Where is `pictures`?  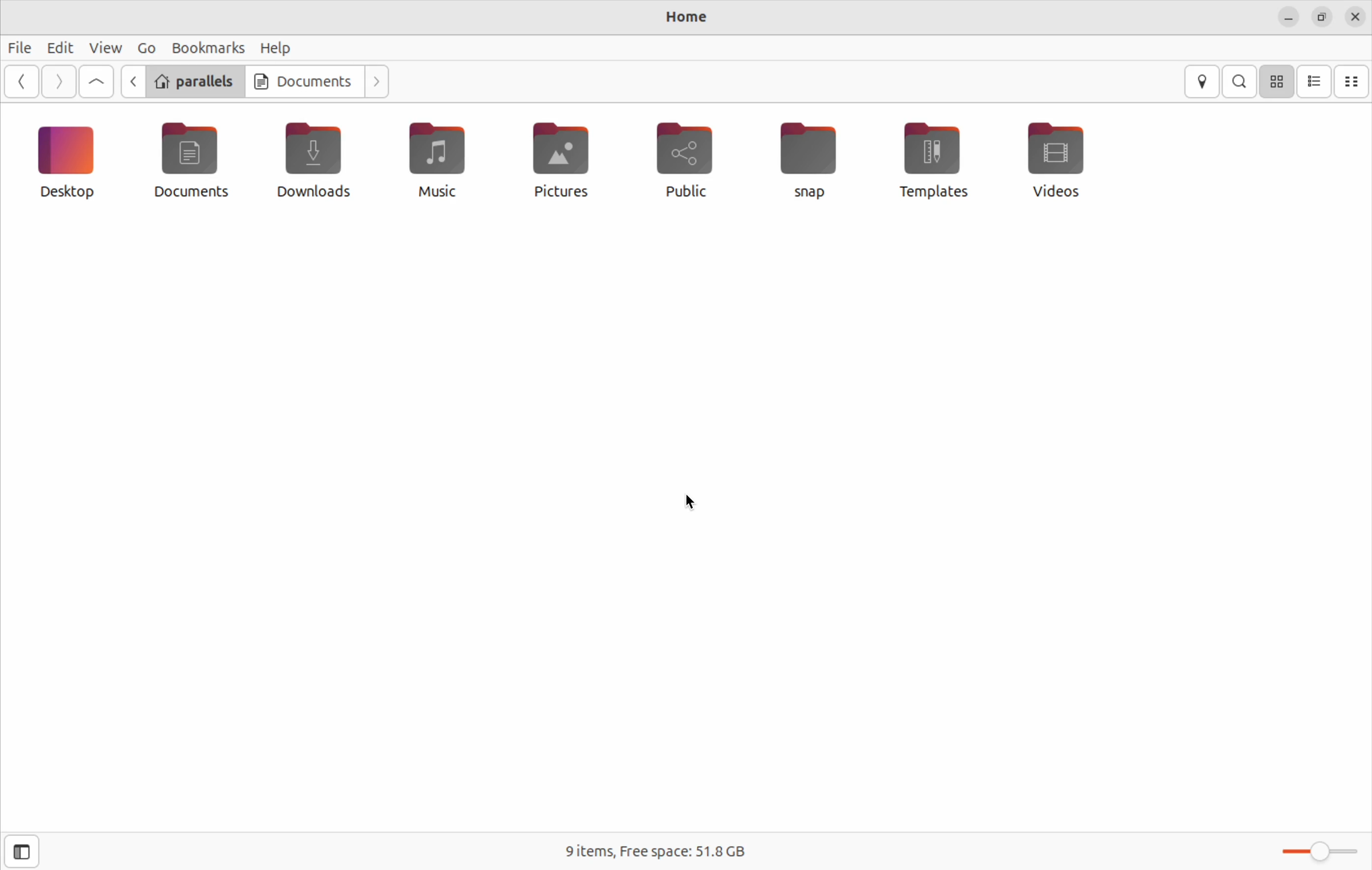
pictures is located at coordinates (558, 165).